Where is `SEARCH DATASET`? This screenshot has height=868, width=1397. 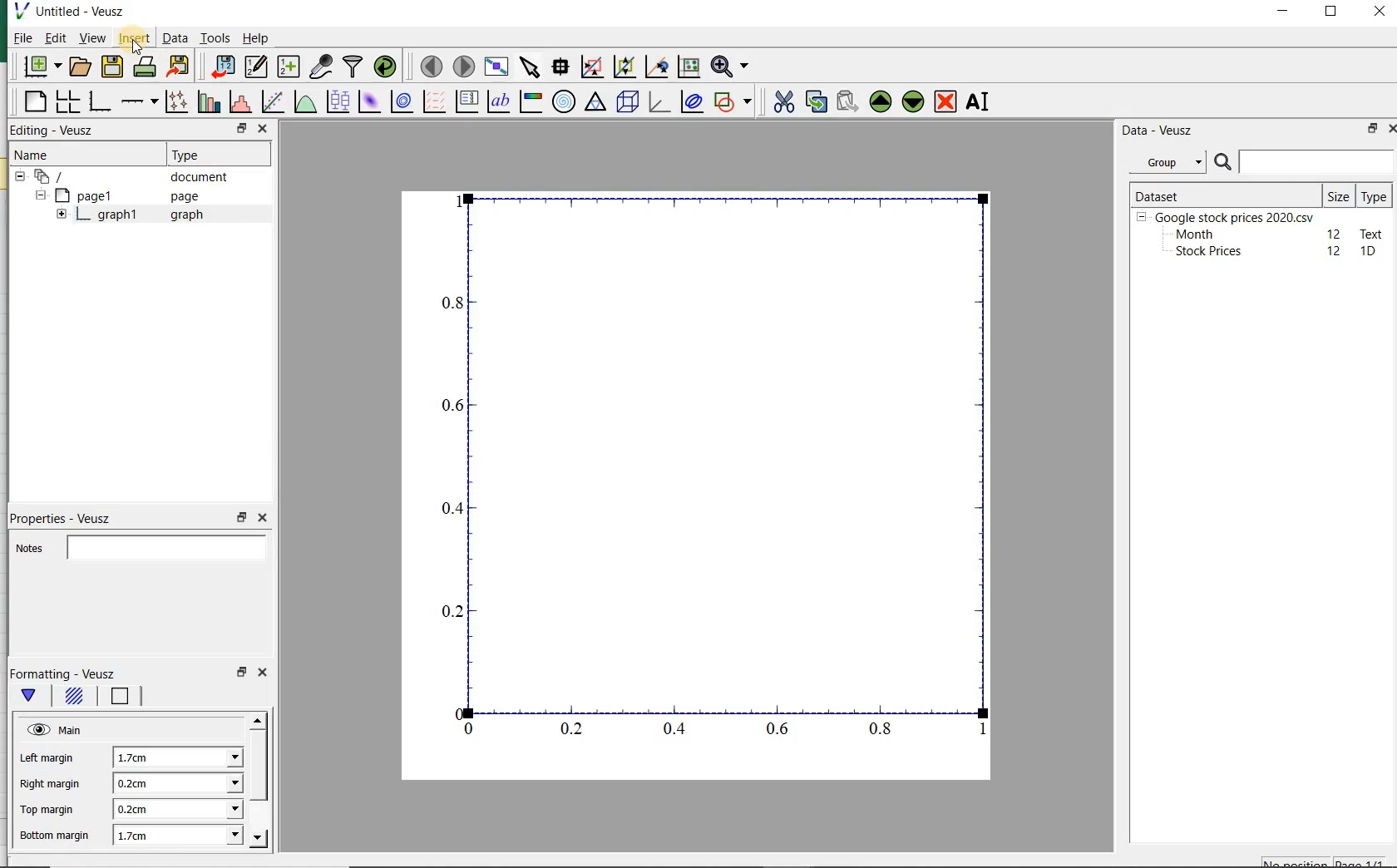 SEARCH DATASET is located at coordinates (1304, 161).